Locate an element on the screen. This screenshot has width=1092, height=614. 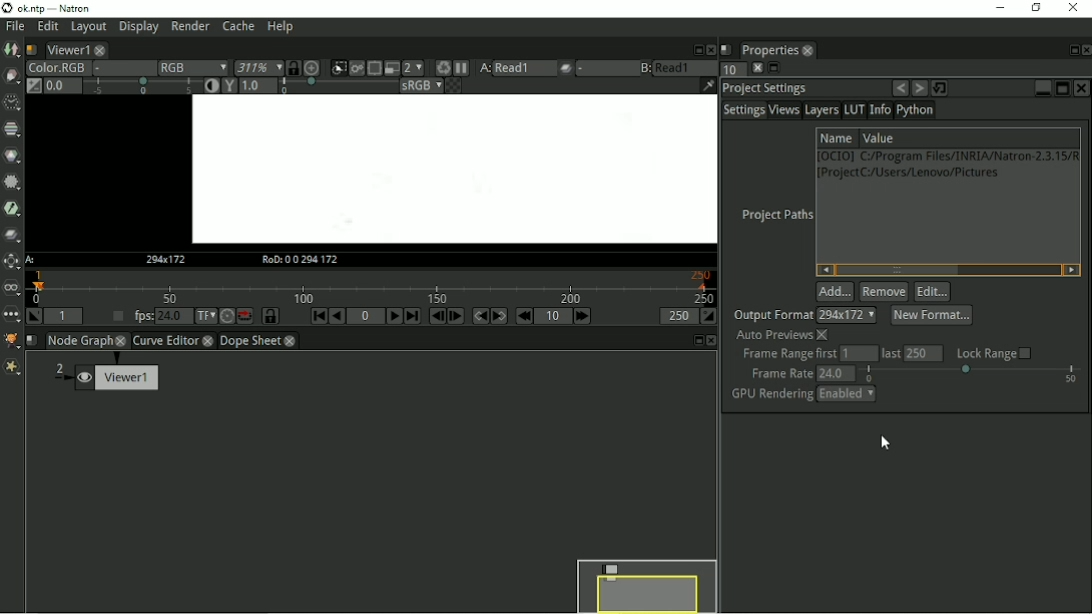
Cursor is located at coordinates (885, 442).